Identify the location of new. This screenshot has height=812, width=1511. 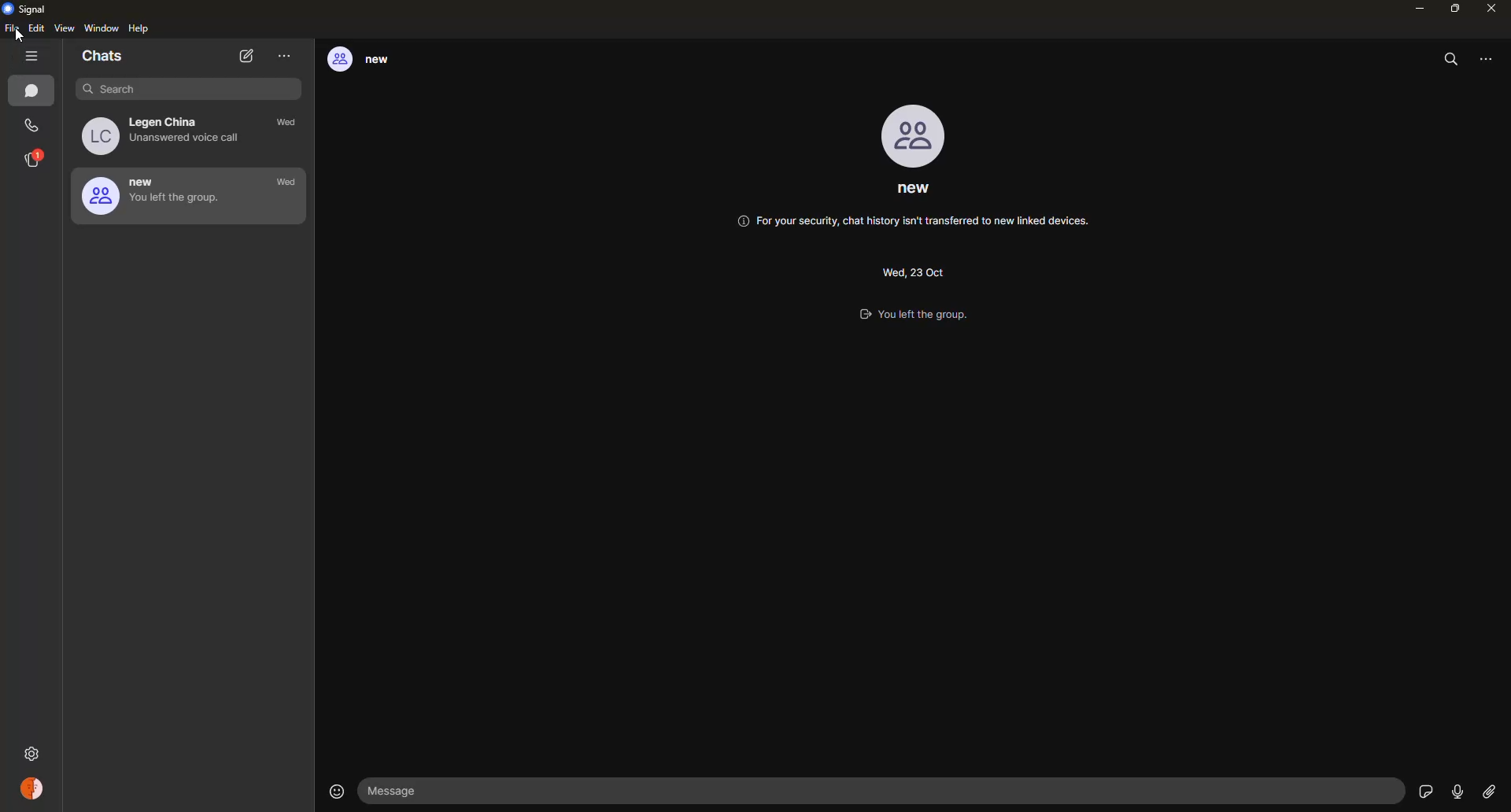
(157, 195).